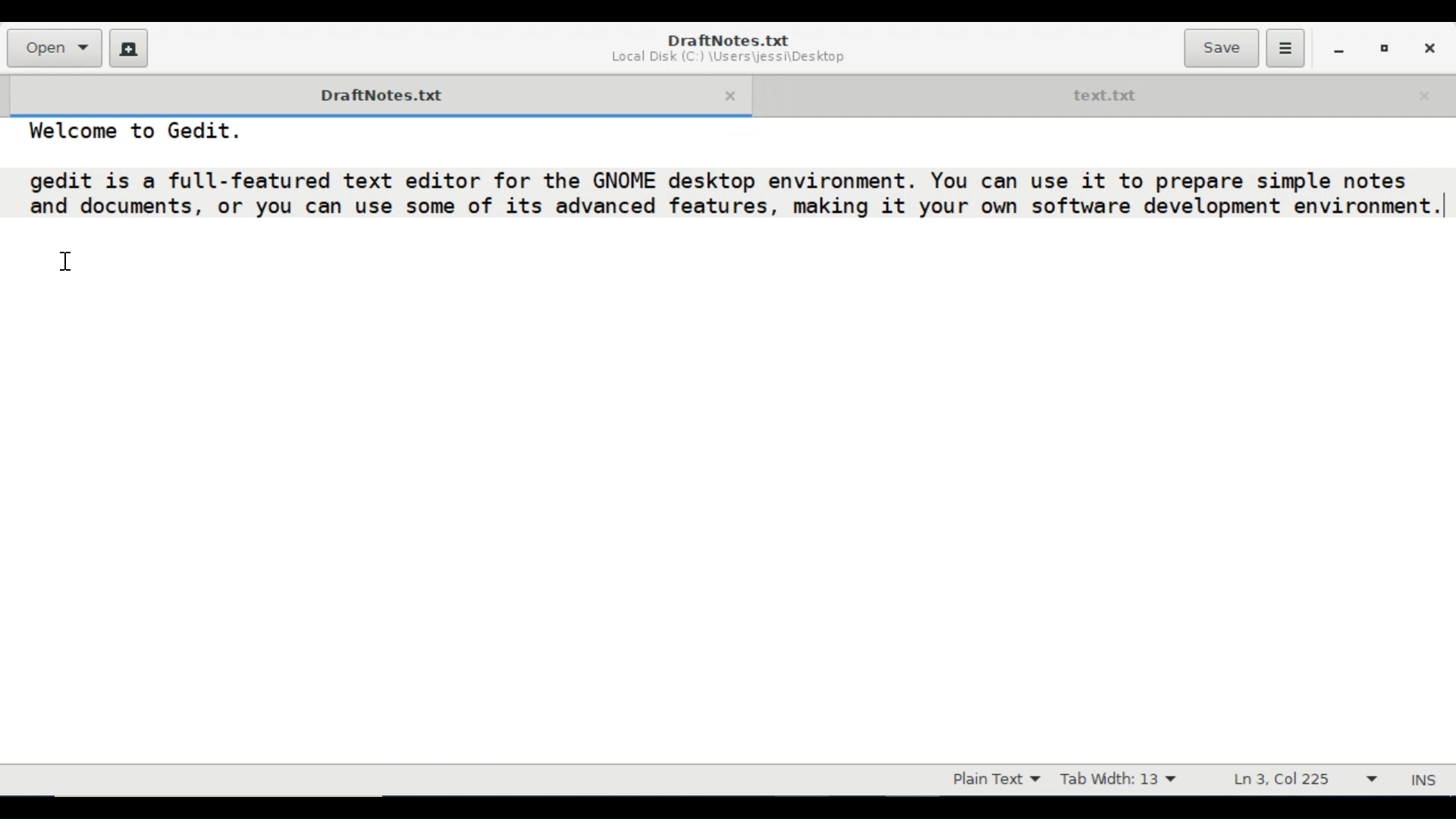  I want to click on Application menu, so click(1285, 49).